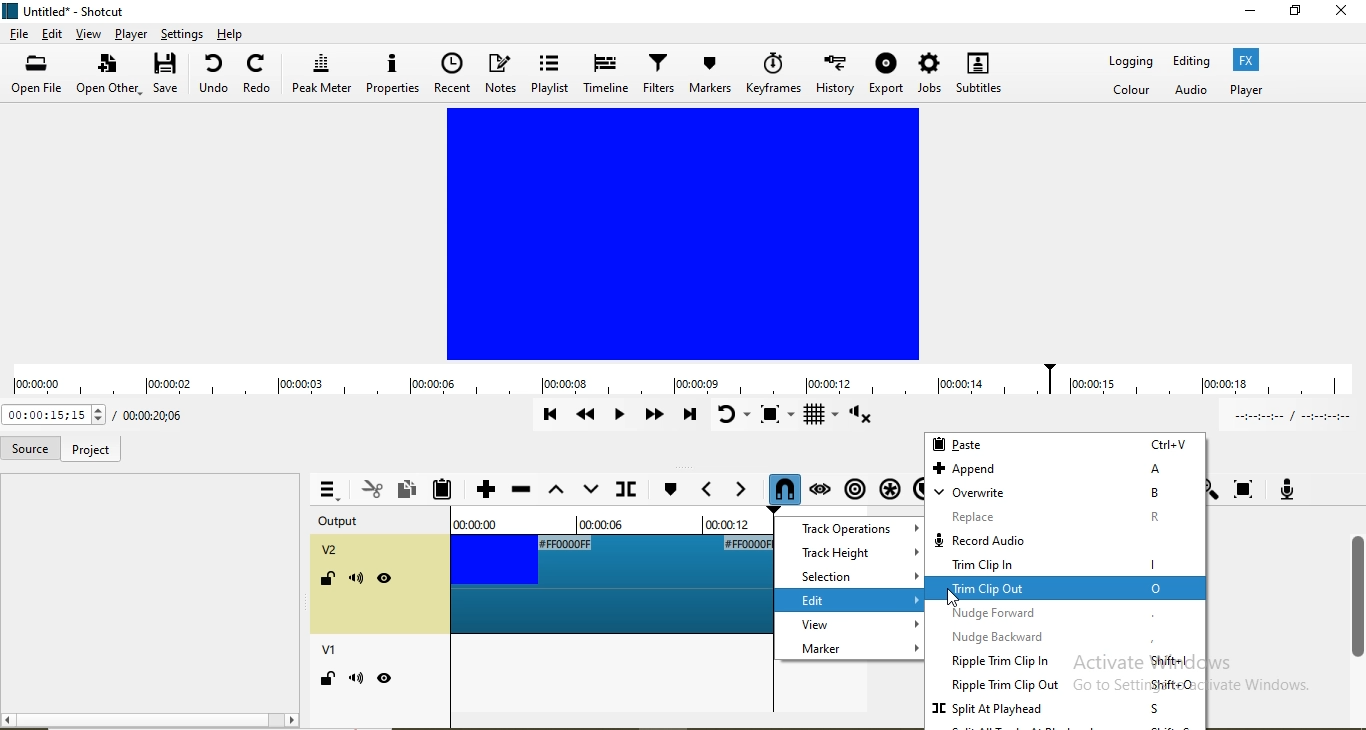  What do you see at coordinates (886, 485) in the screenshot?
I see `Ripple all tracks` at bounding box center [886, 485].